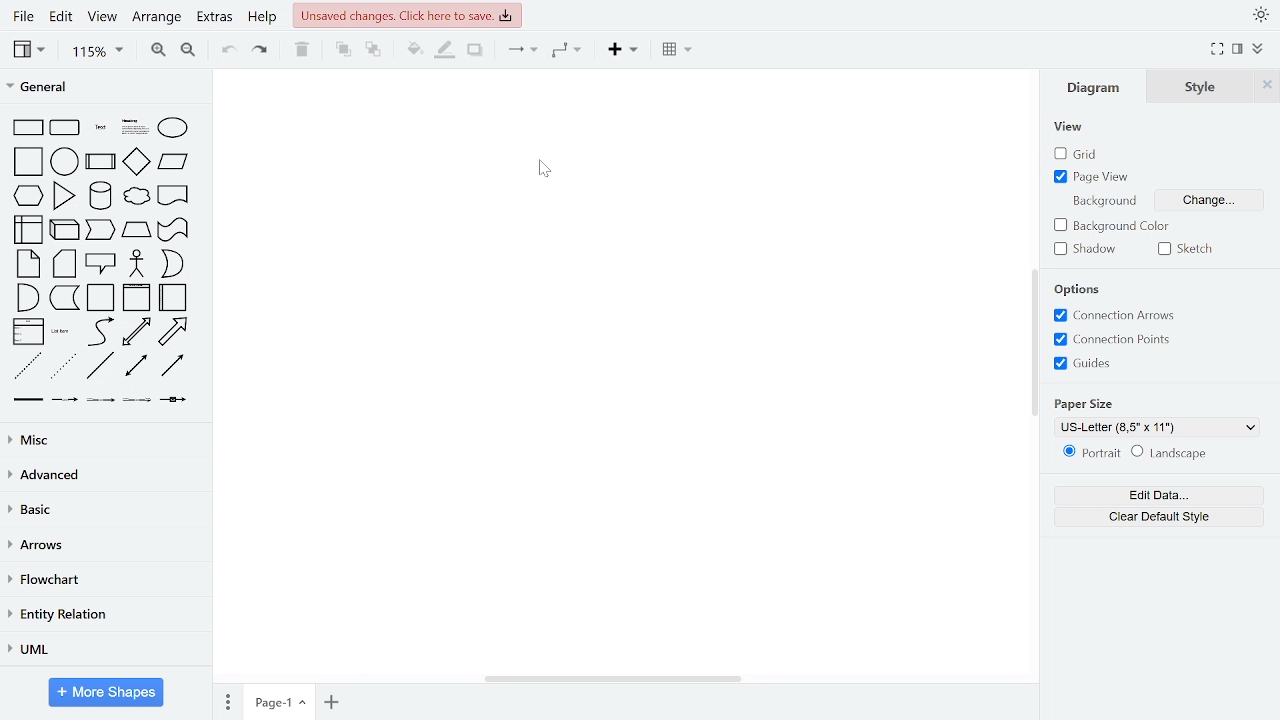 This screenshot has width=1280, height=720. I want to click on redo, so click(258, 51).